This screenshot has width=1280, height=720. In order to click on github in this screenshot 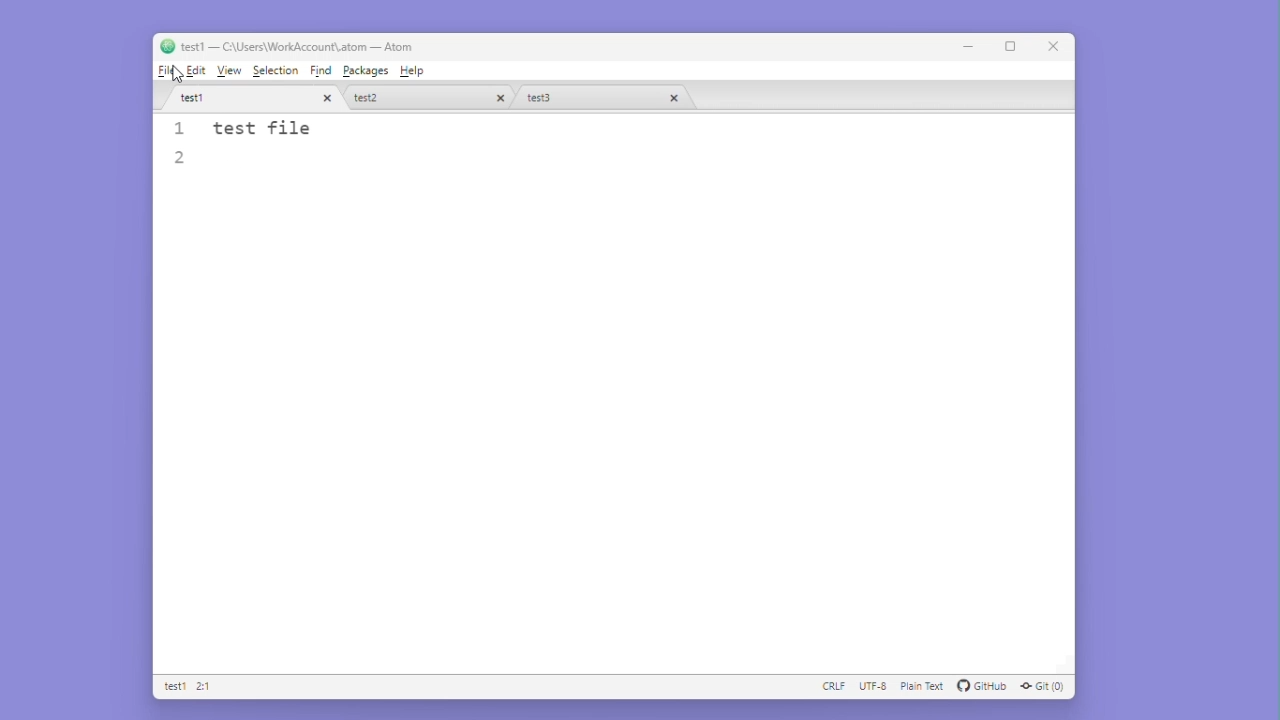, I will do `click(986, 686)`.